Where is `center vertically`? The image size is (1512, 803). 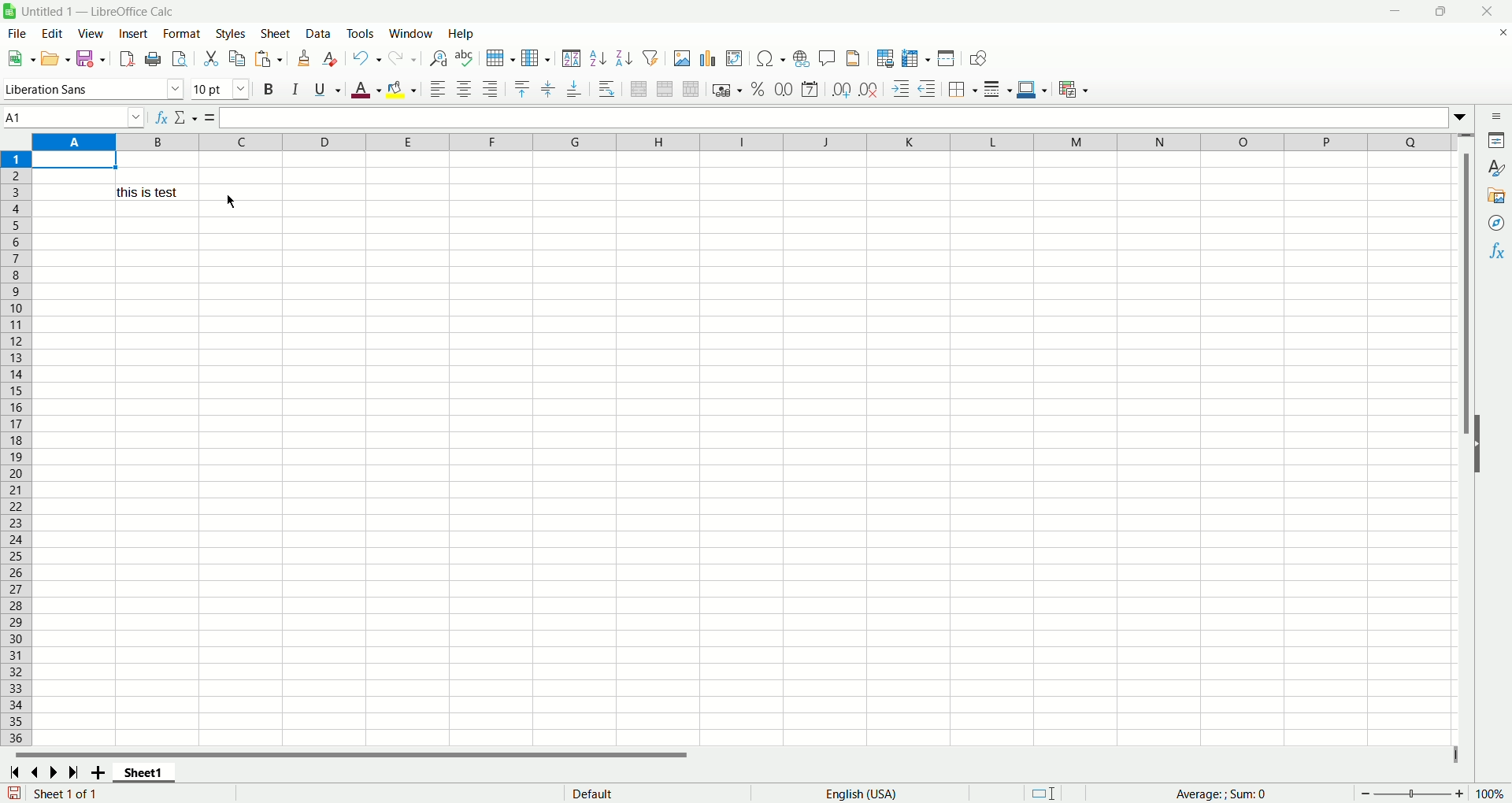
center vertically is located at coordinates (547, 89).